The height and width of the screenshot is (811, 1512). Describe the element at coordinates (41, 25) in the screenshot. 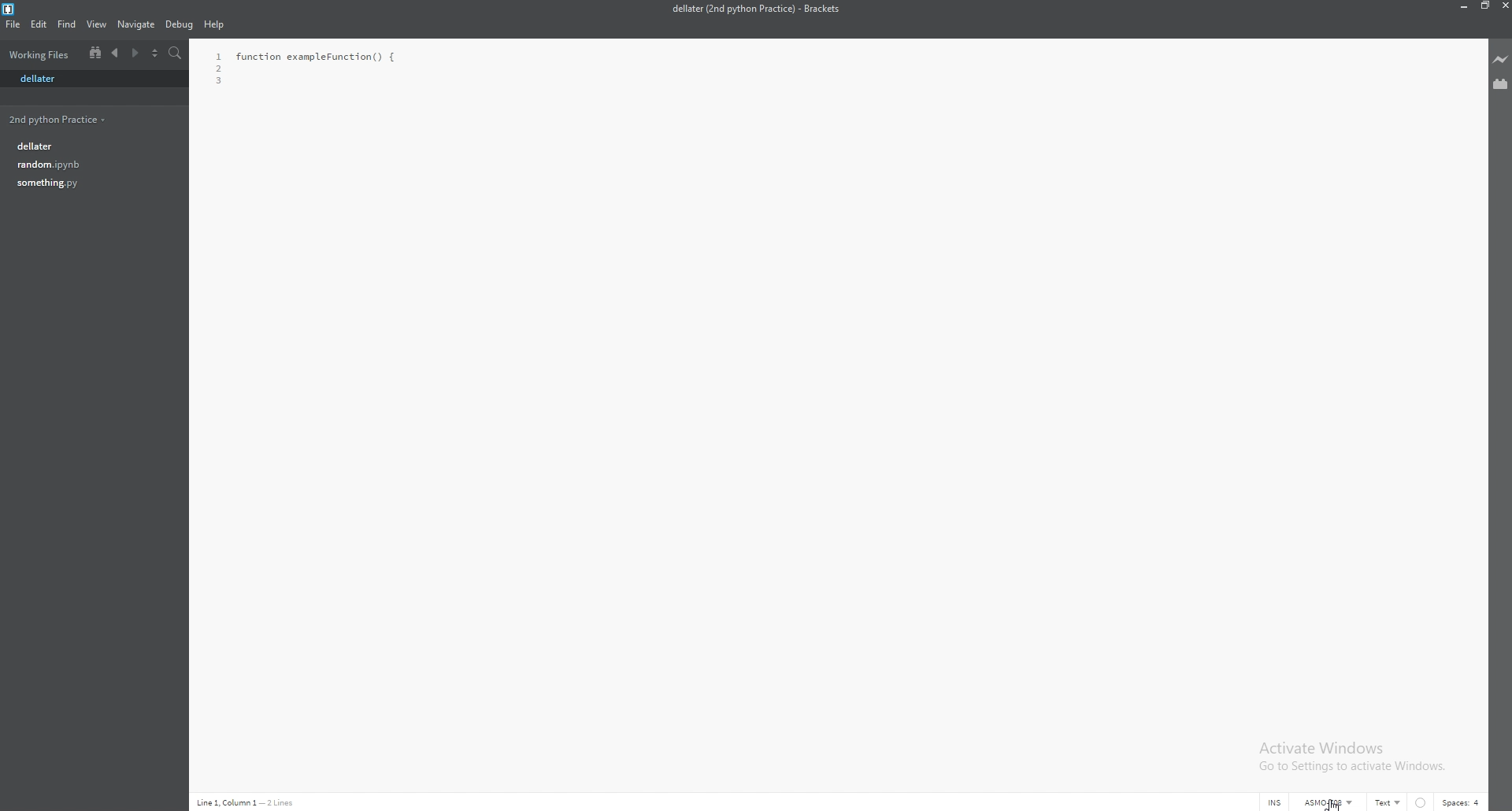

I see `edit` at that location.